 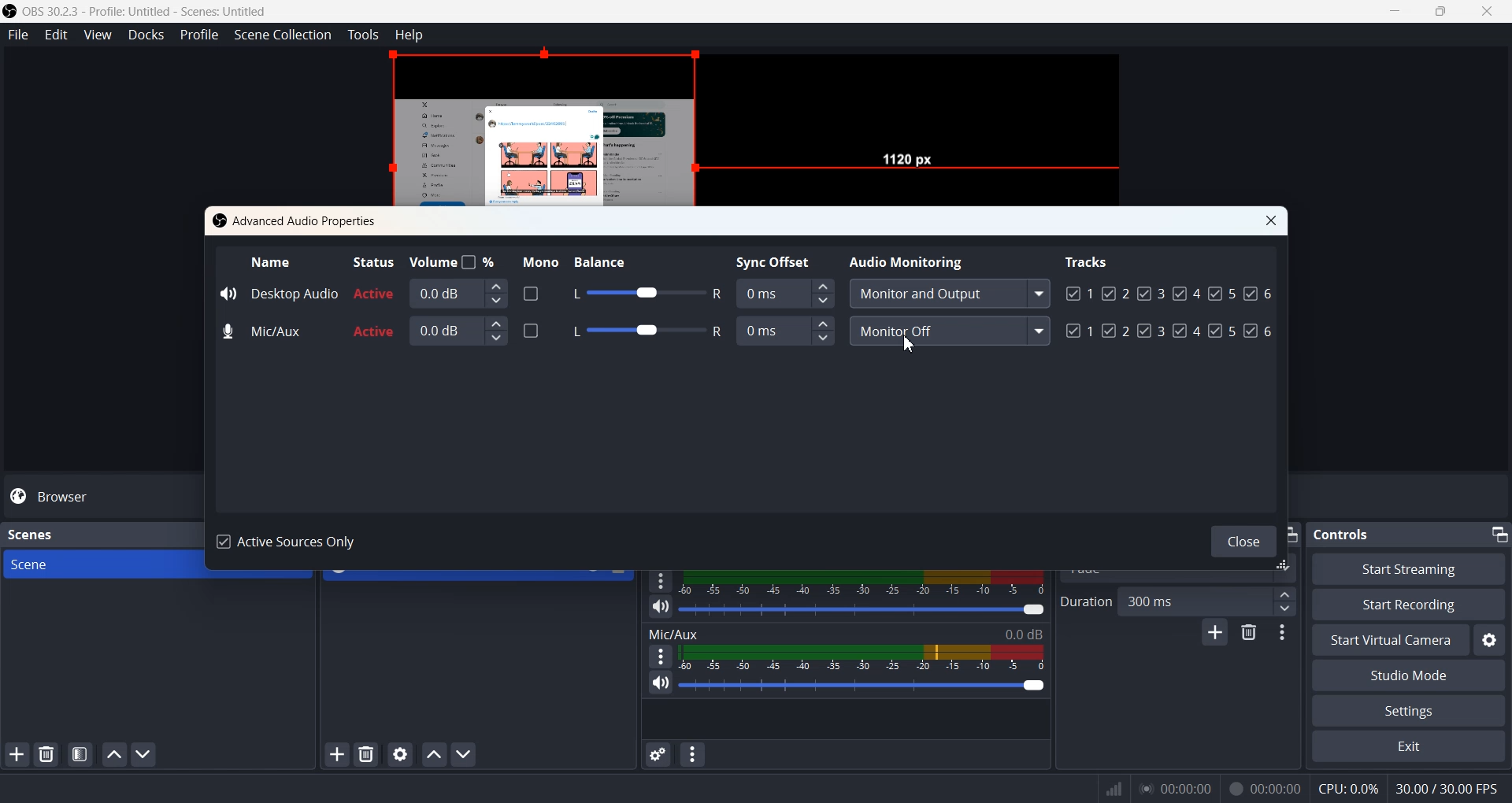 I want to click on Sync Offset , so click(x=787, y=331).